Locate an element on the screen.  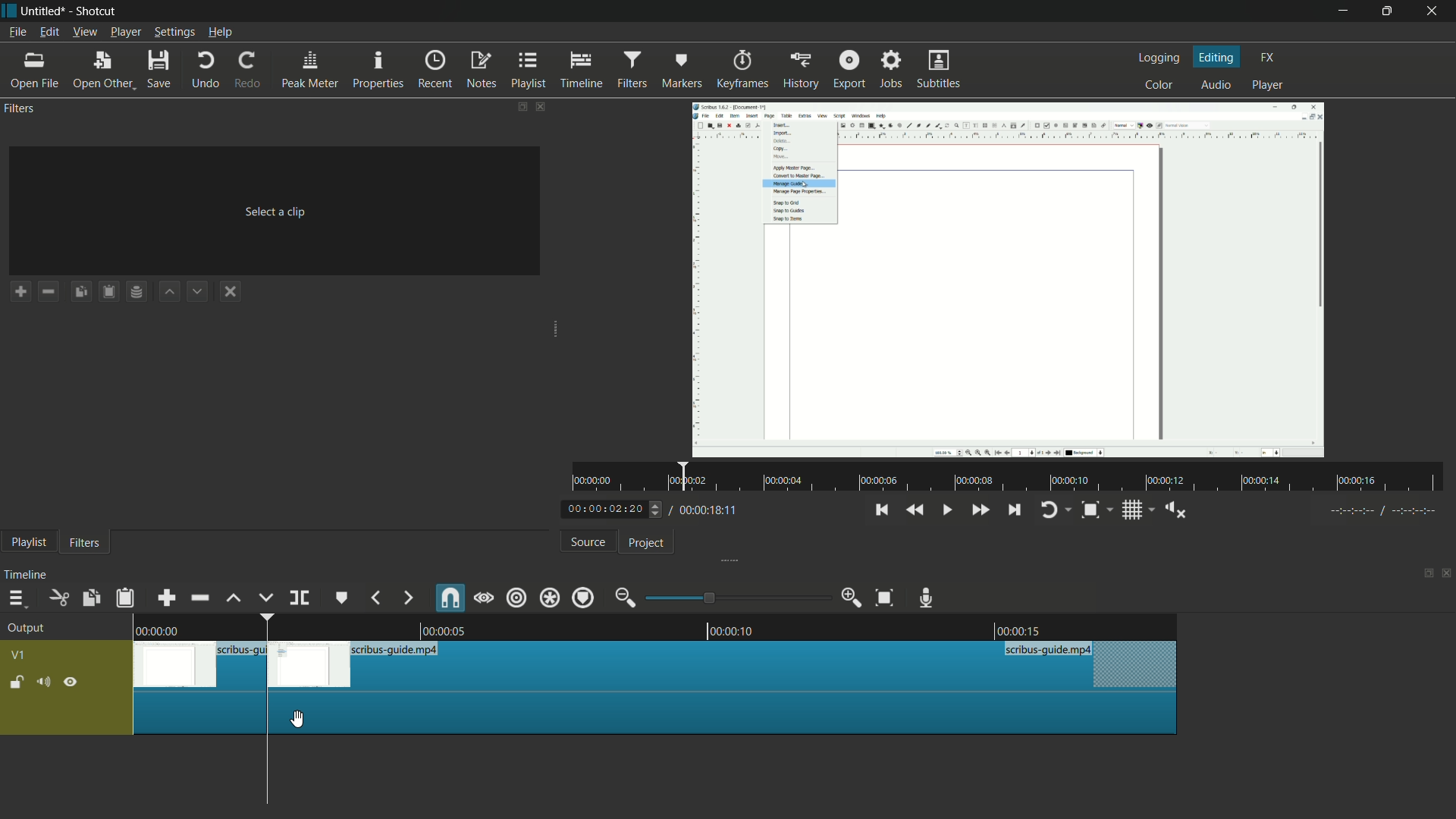
player menu is located at coordinates (125, 32).